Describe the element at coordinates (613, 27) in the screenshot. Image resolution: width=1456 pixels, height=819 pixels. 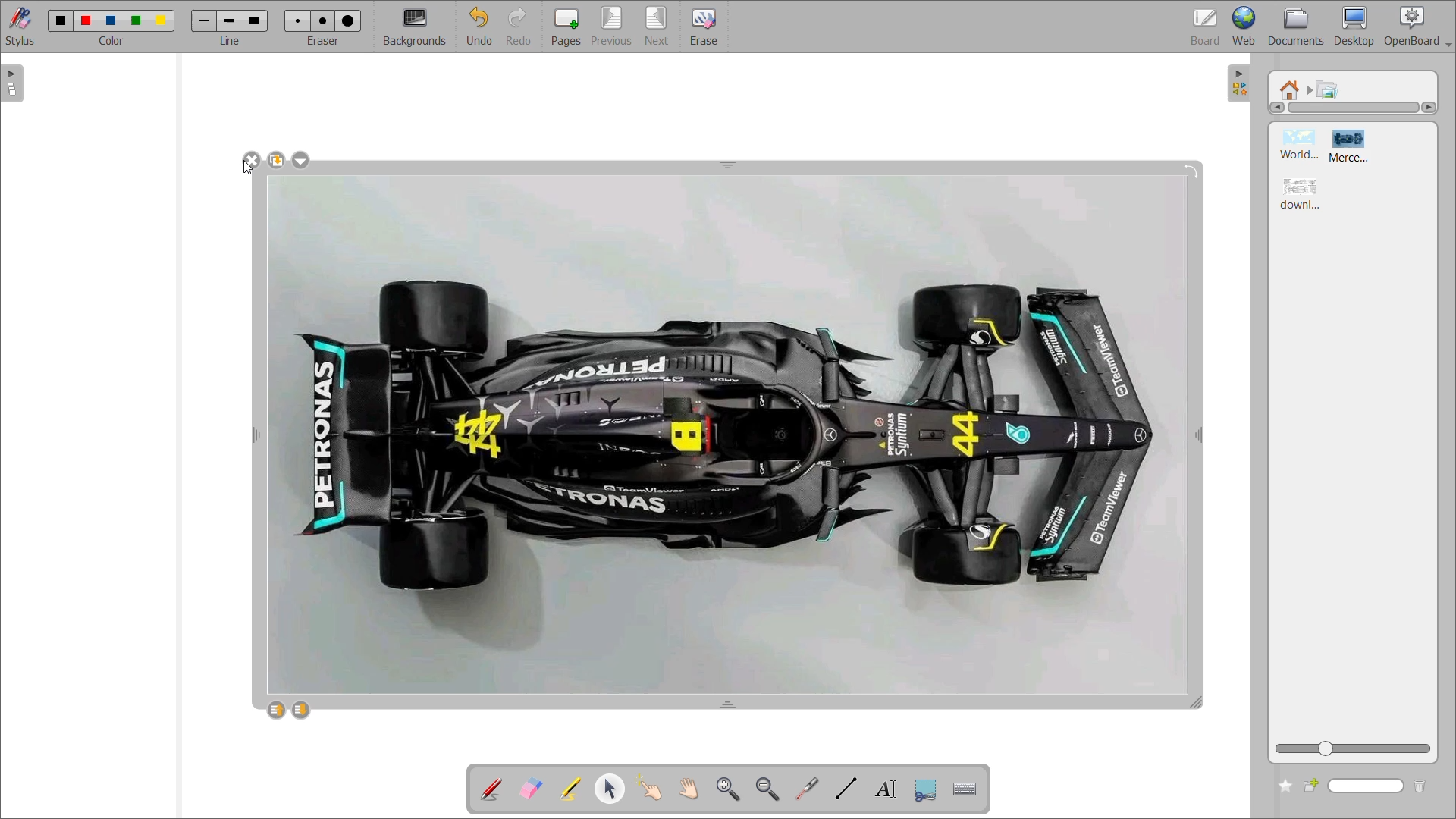
I see `previous` at that location.